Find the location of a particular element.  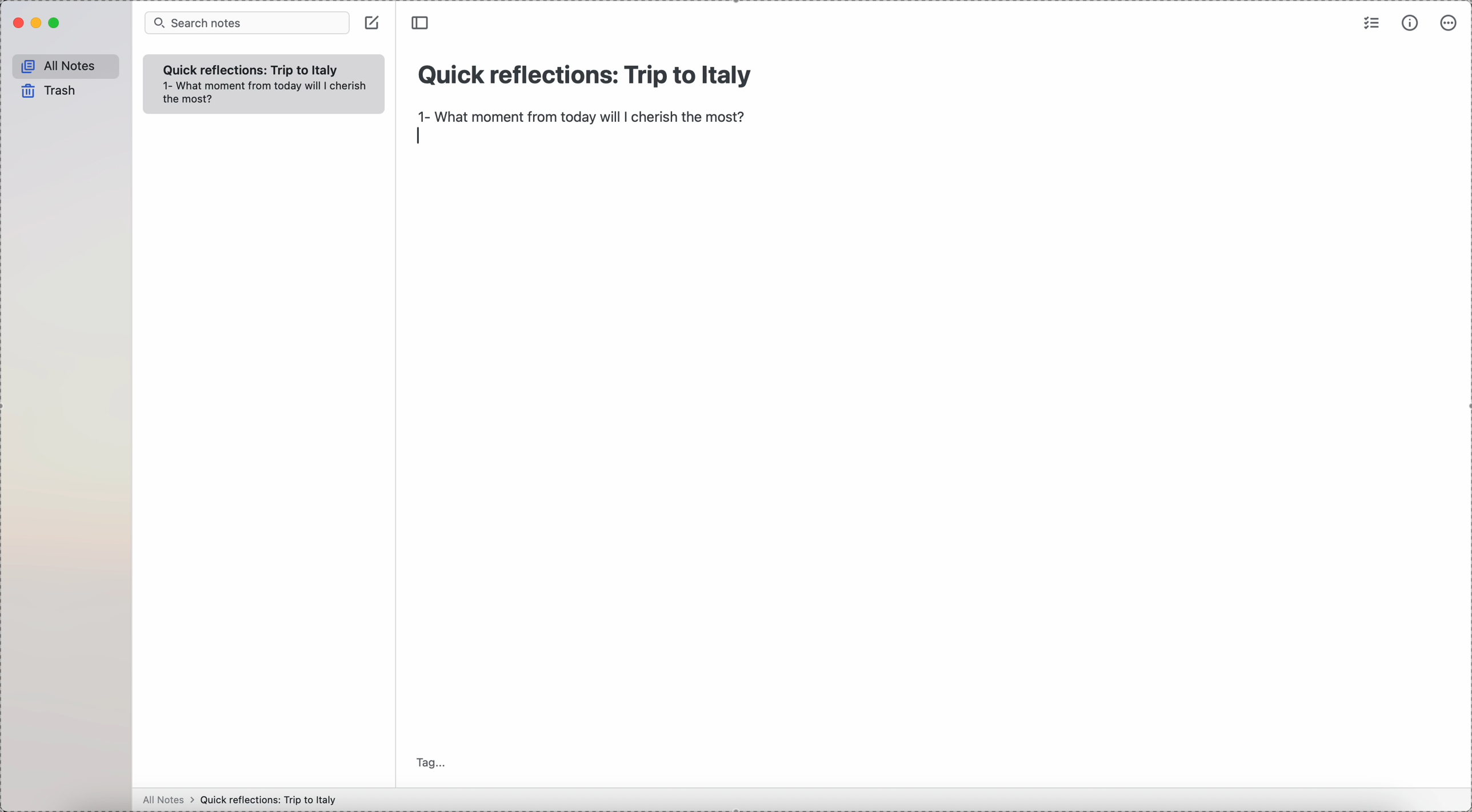

toggle sidebar is located at coordinates (422, 23).